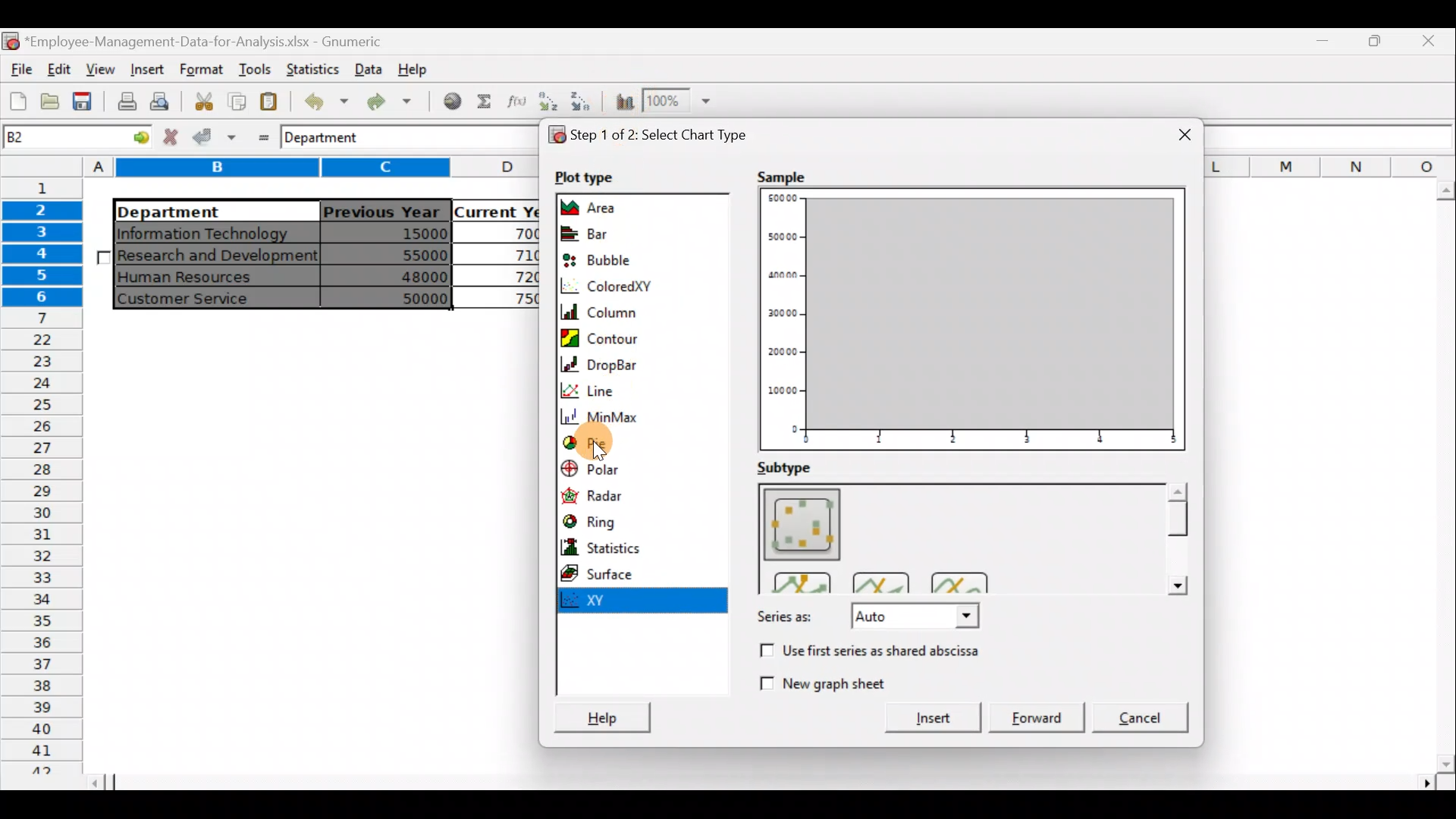 This screenshot has height=819, width=1456. I want to click on Sample, so click(780, 177).